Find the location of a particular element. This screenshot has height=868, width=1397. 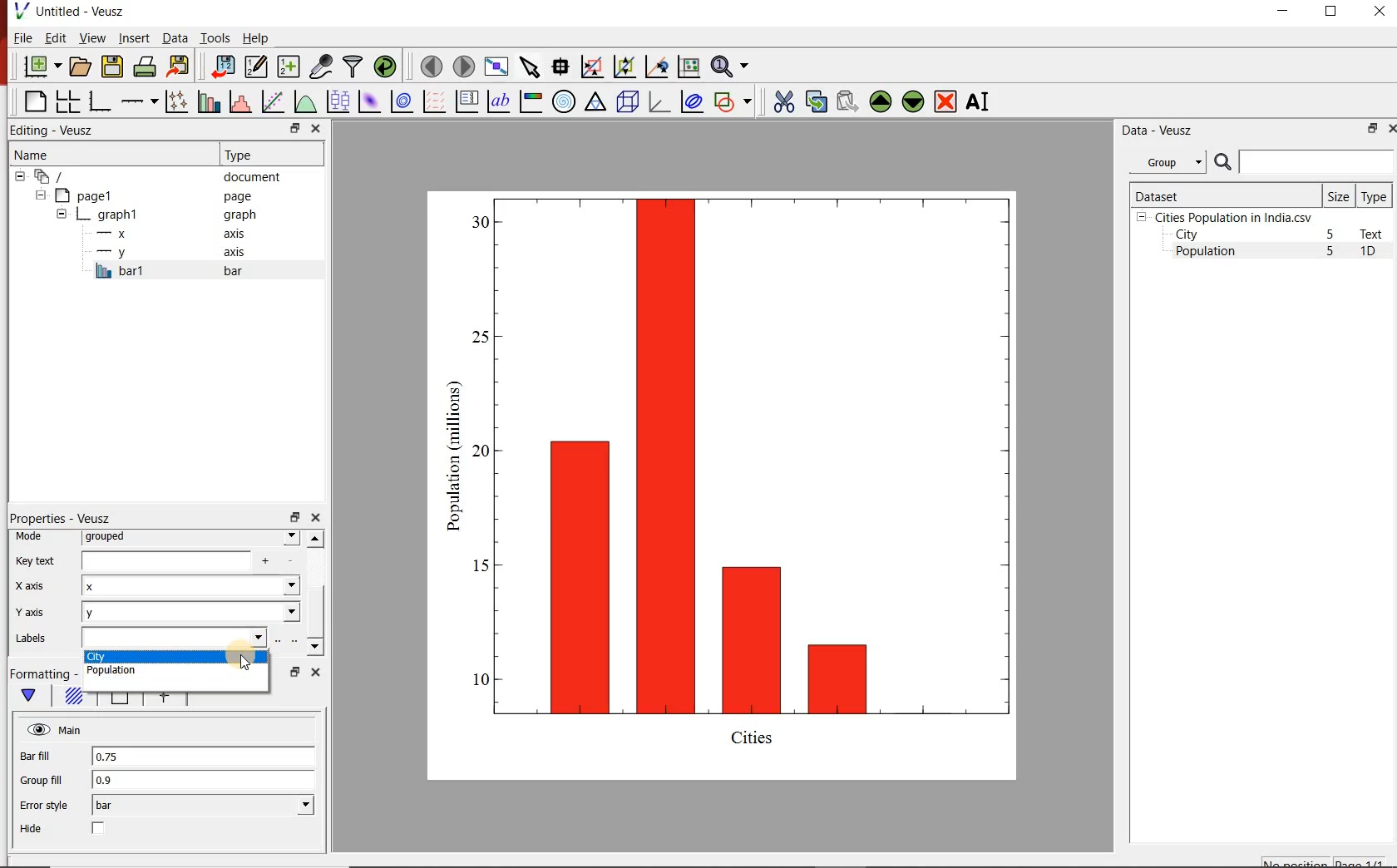

Bar fill is located at coordinates (47, 757).